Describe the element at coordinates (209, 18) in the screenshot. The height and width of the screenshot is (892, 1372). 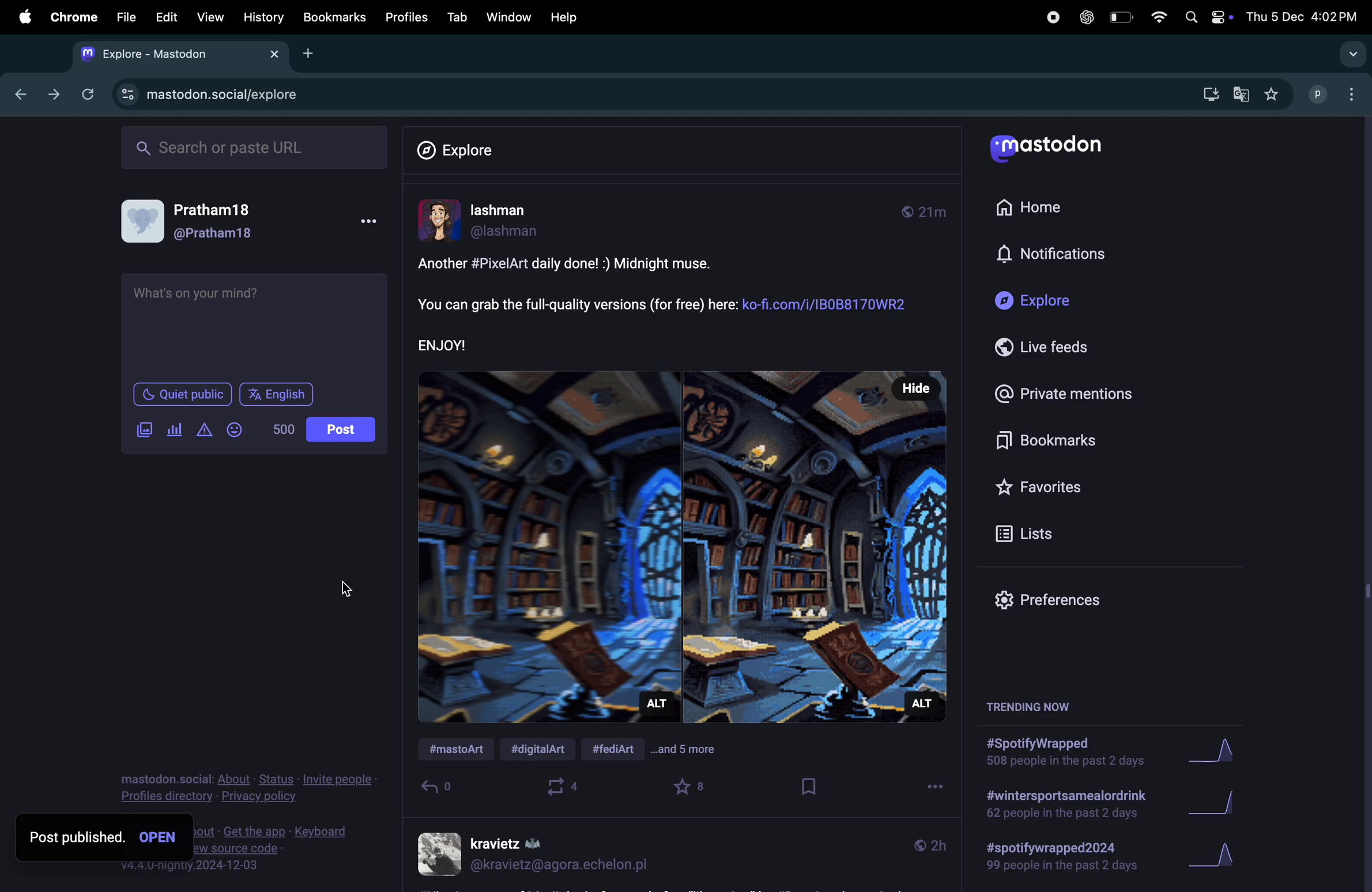
I see `view` at that location.